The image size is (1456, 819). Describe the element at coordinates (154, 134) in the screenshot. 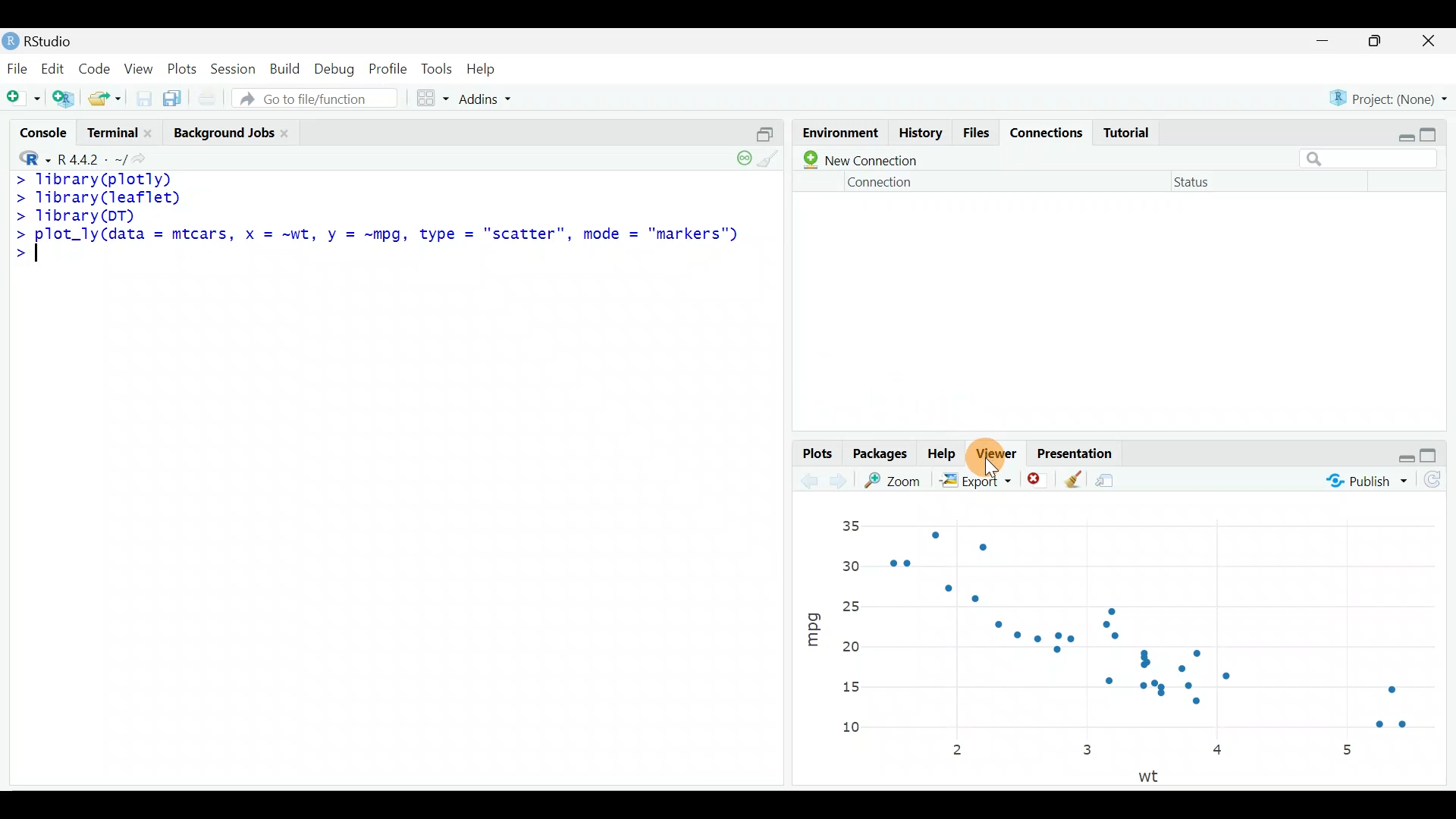

I see `Close terminal` at that location.